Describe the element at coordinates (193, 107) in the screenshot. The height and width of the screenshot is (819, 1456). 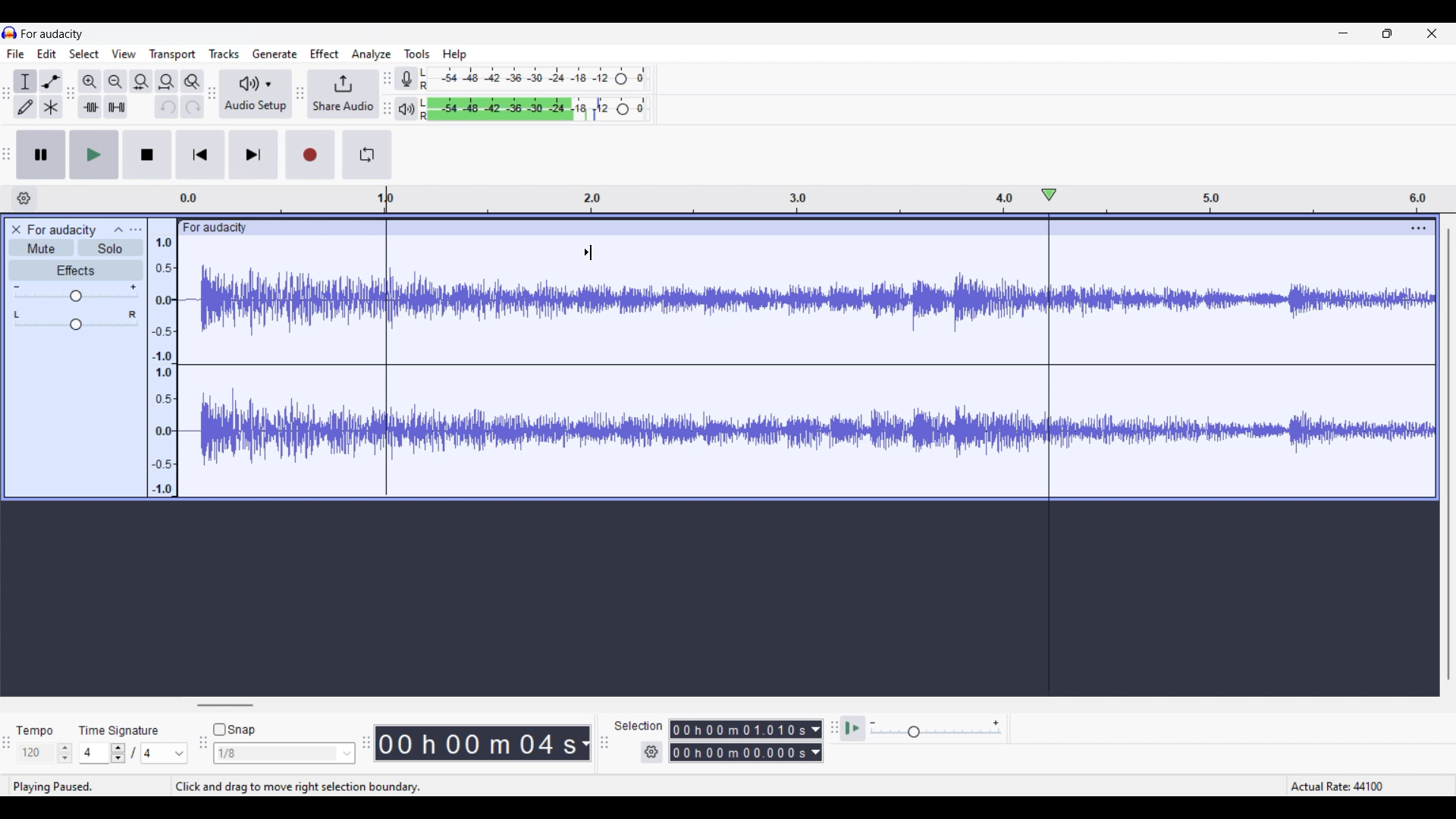
I see `Redo` at that location.